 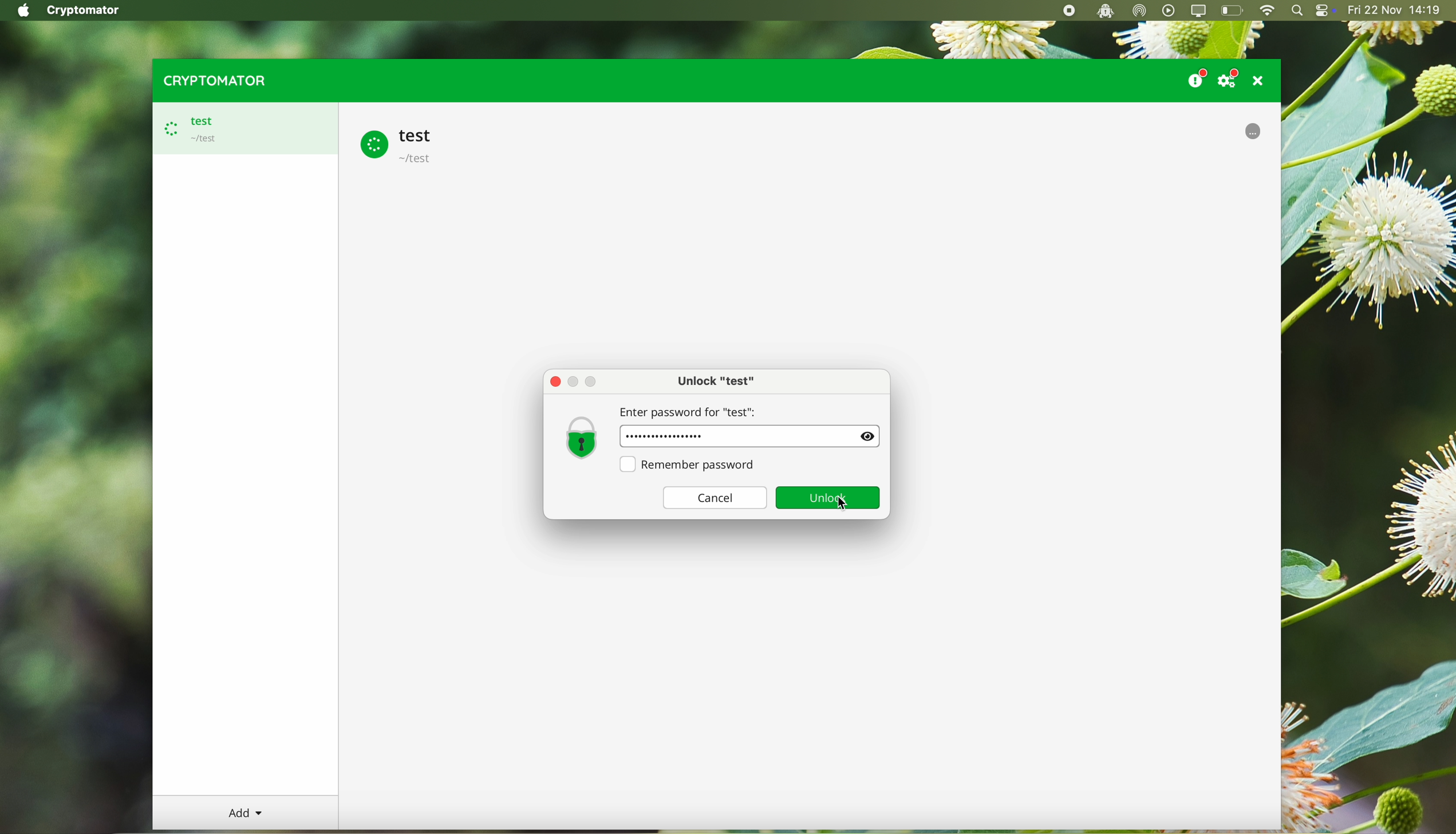 I want to click on close program, so click(x=1261, y=80).